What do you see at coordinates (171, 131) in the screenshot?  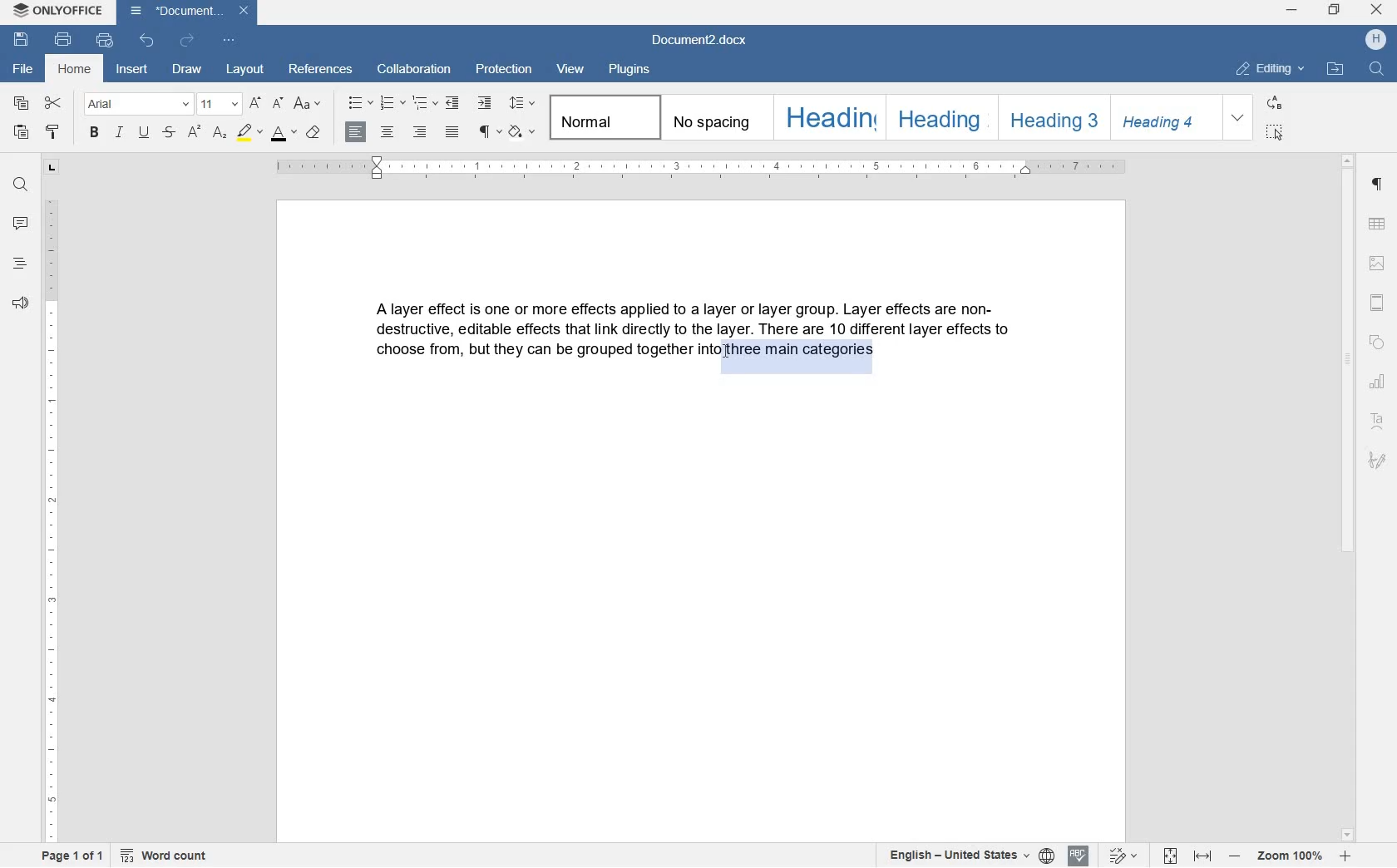 I see `strike through` at bounding box center [171, 131].